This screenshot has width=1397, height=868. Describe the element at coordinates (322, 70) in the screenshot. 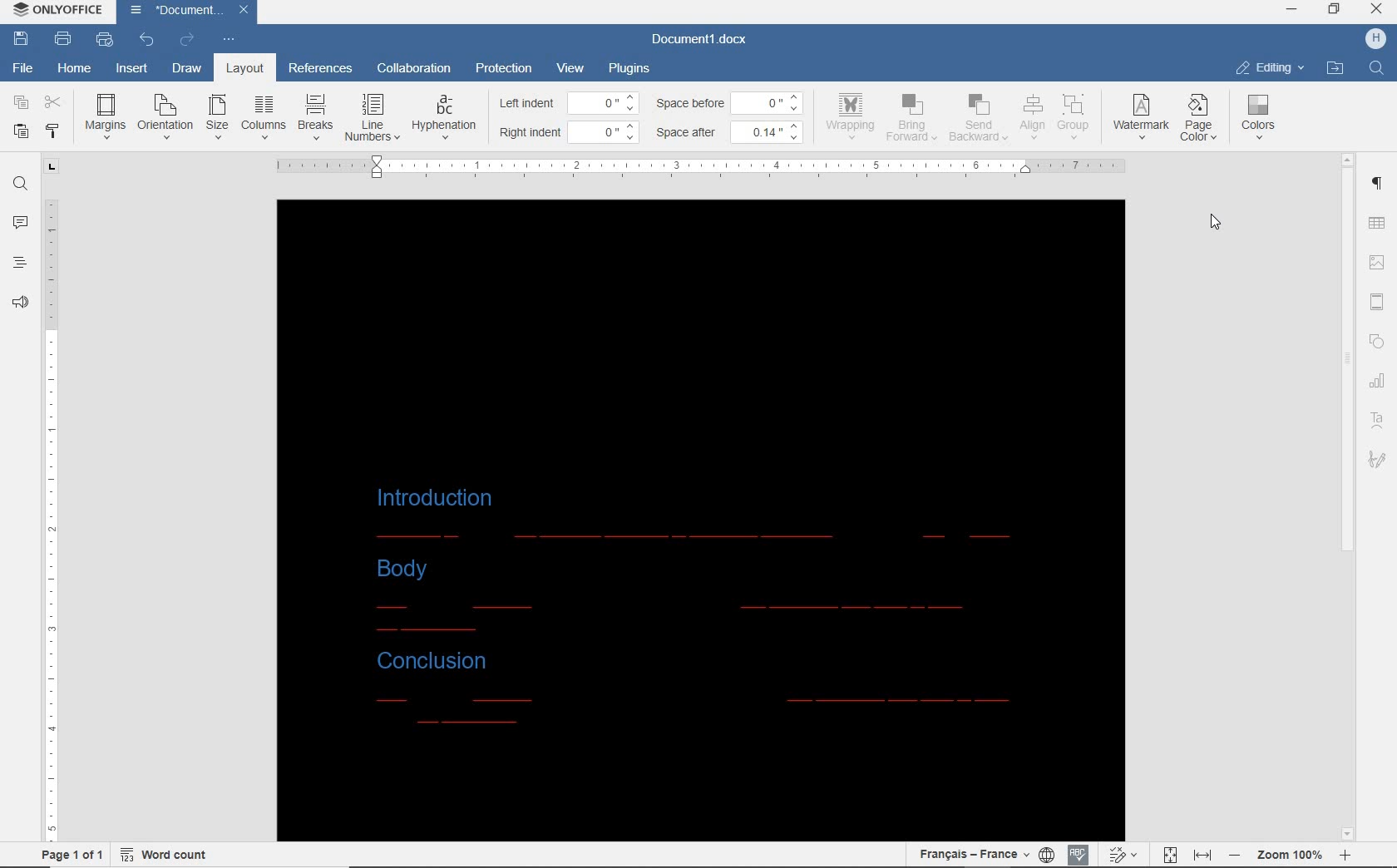

I see `references` at that location.